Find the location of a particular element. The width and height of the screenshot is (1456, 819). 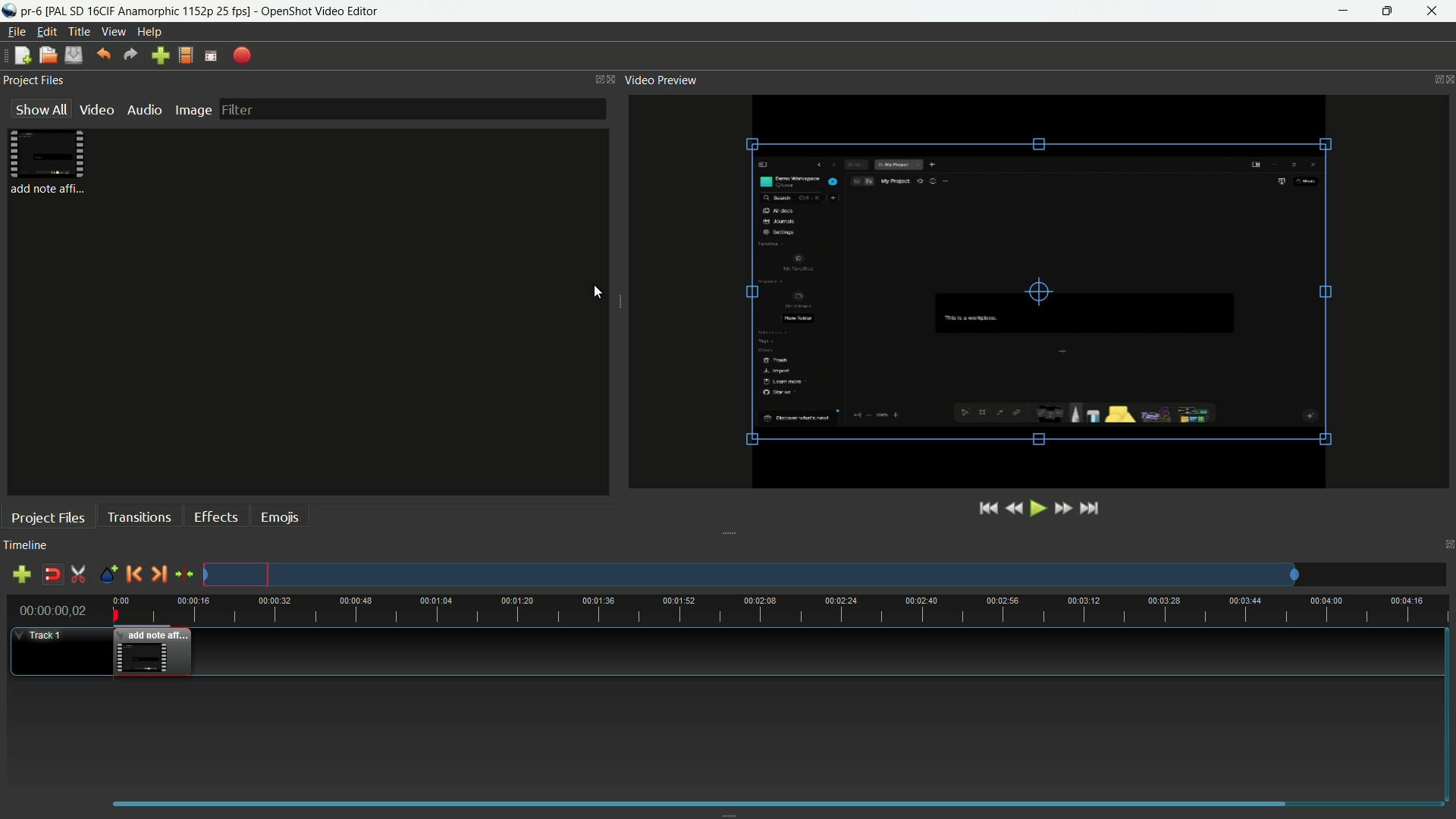

rewind is located at coordinates (1016, 508).